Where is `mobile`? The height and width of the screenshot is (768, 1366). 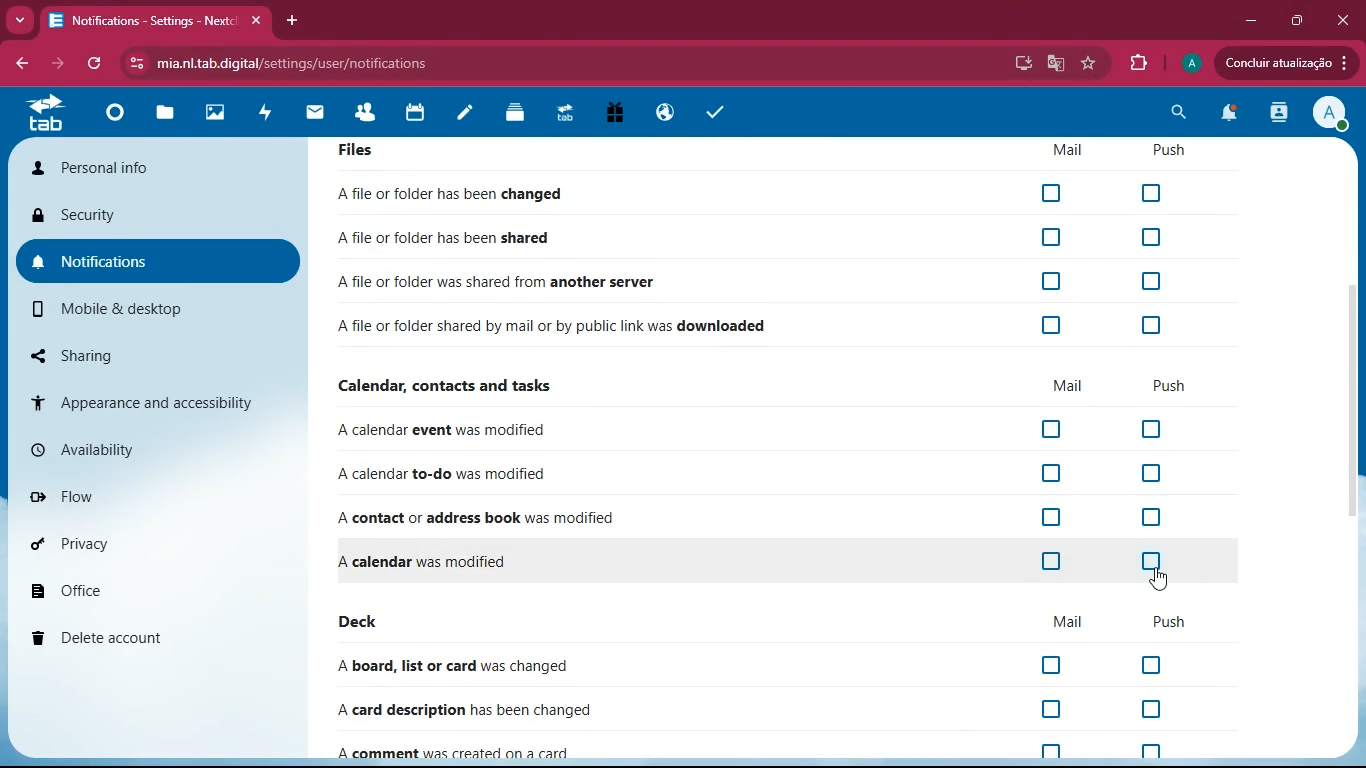 mobile is located at coordinates (142, 310).